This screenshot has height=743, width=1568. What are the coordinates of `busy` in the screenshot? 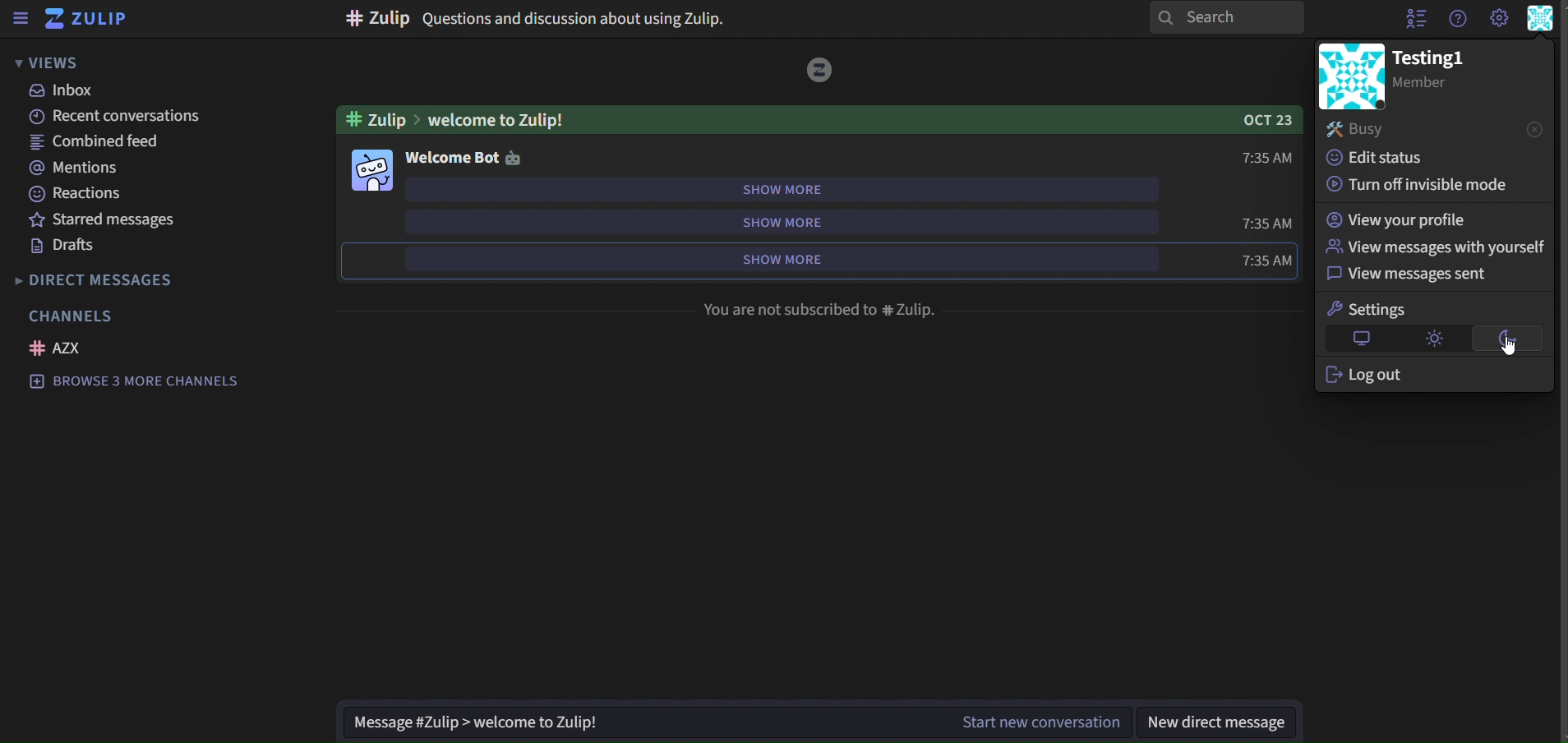 It's located at (1434, 131).